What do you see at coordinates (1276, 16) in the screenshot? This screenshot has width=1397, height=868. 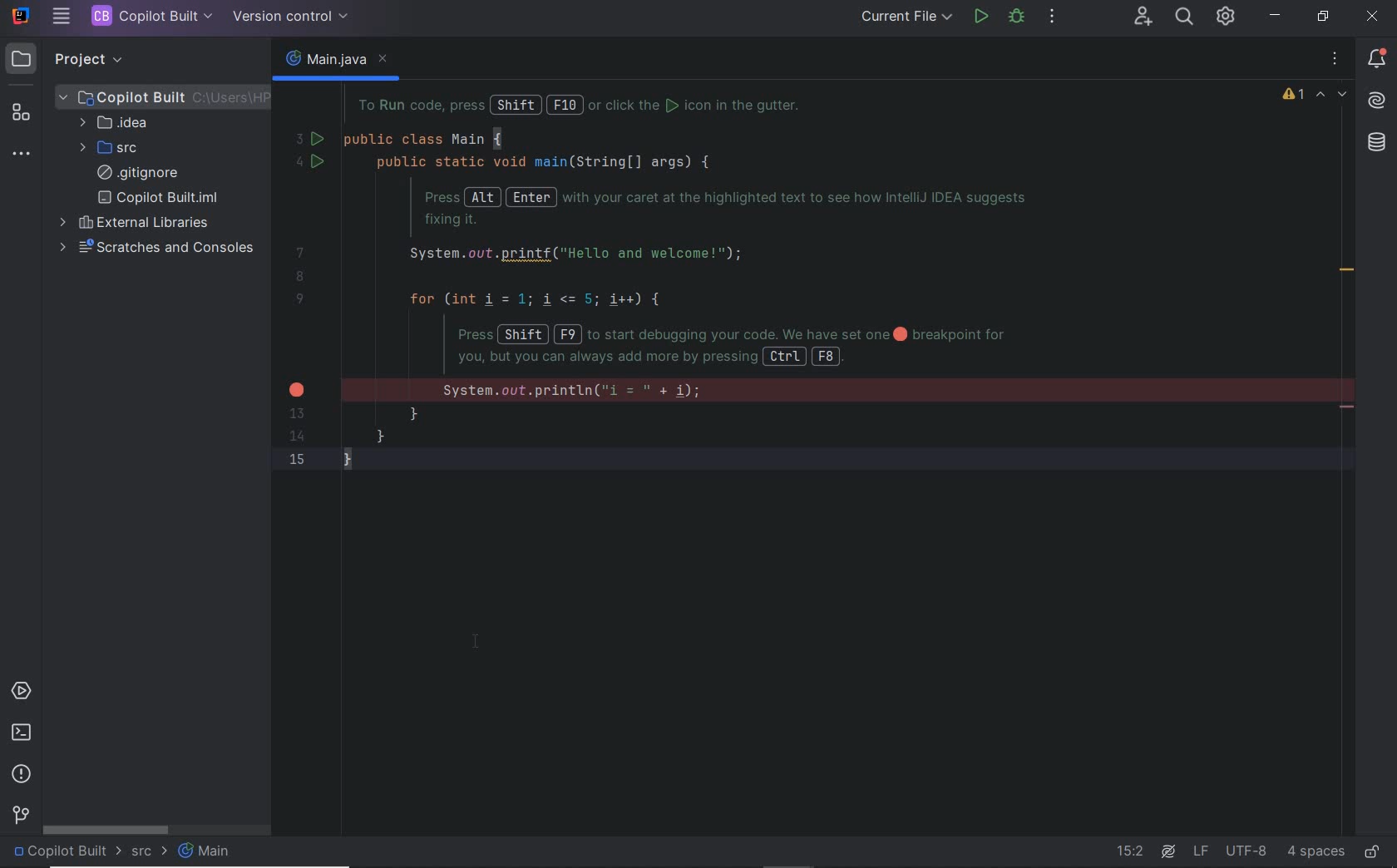 I see `minimize` at bounding box center [1276, 16].